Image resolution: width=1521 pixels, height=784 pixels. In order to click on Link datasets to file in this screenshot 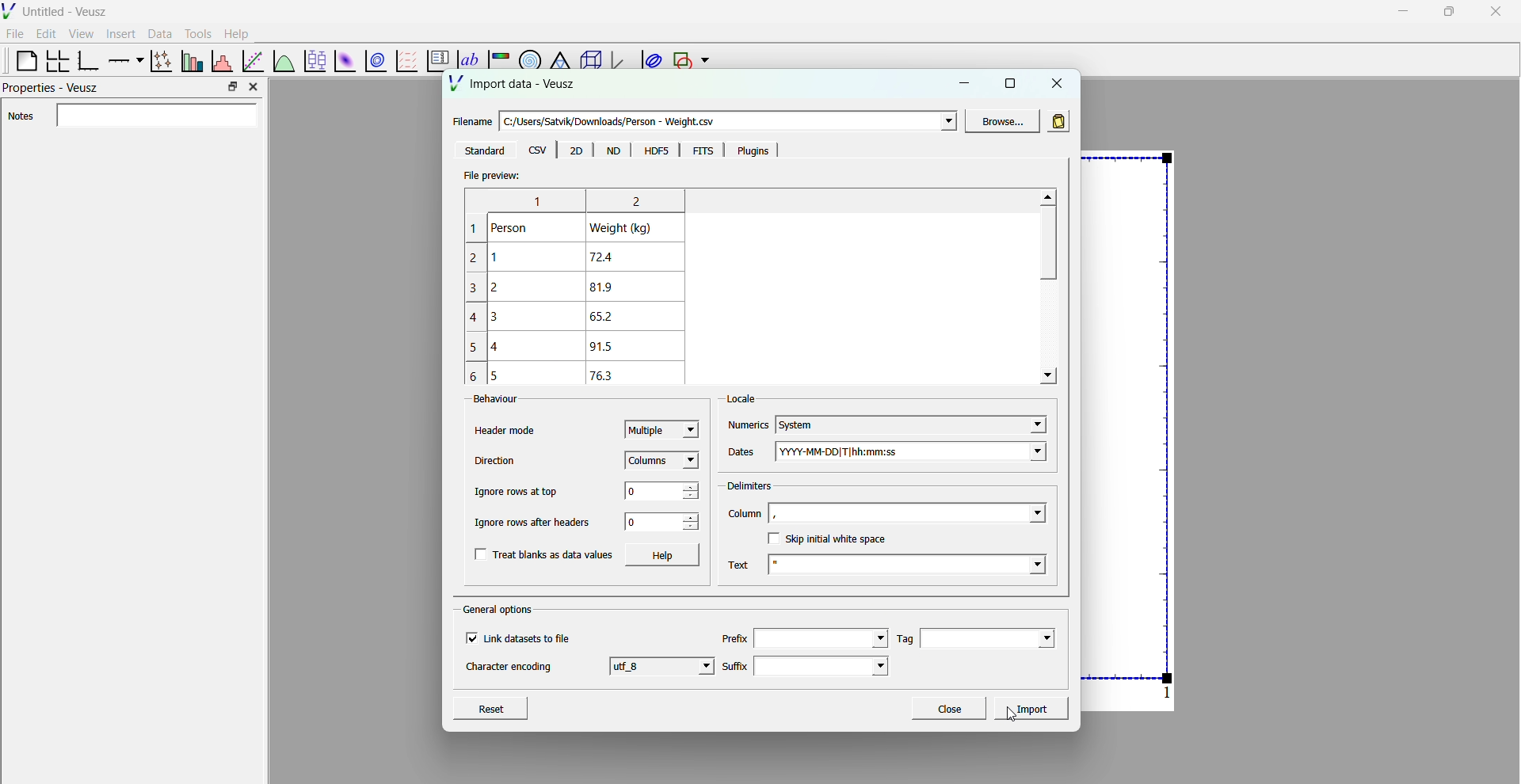, I will do `click(524, 638)`.